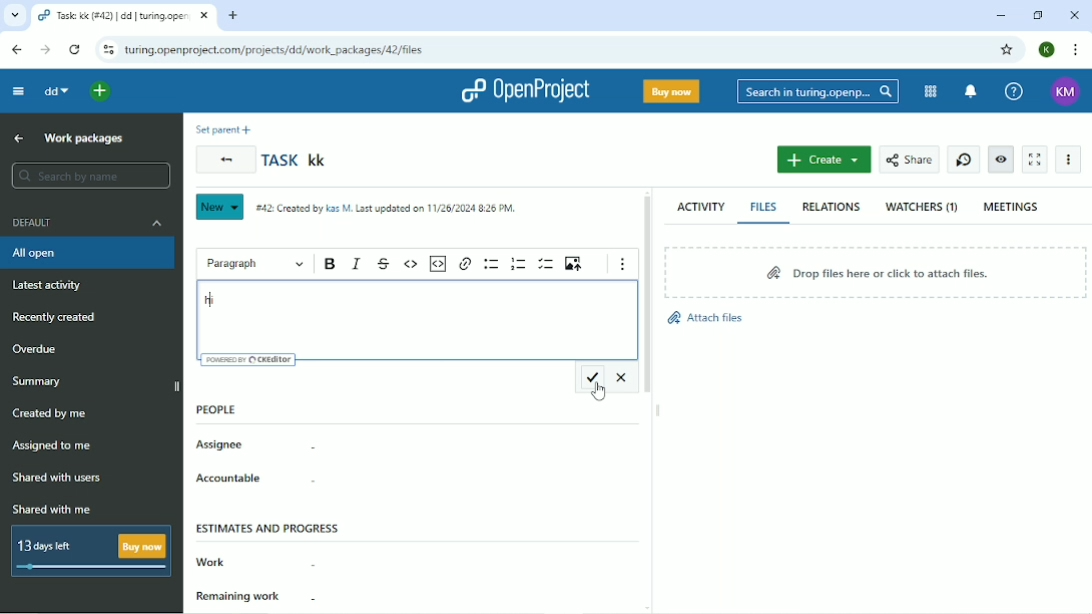 The image size is (1092, 614). I want to click on Share, so click(910, 159).